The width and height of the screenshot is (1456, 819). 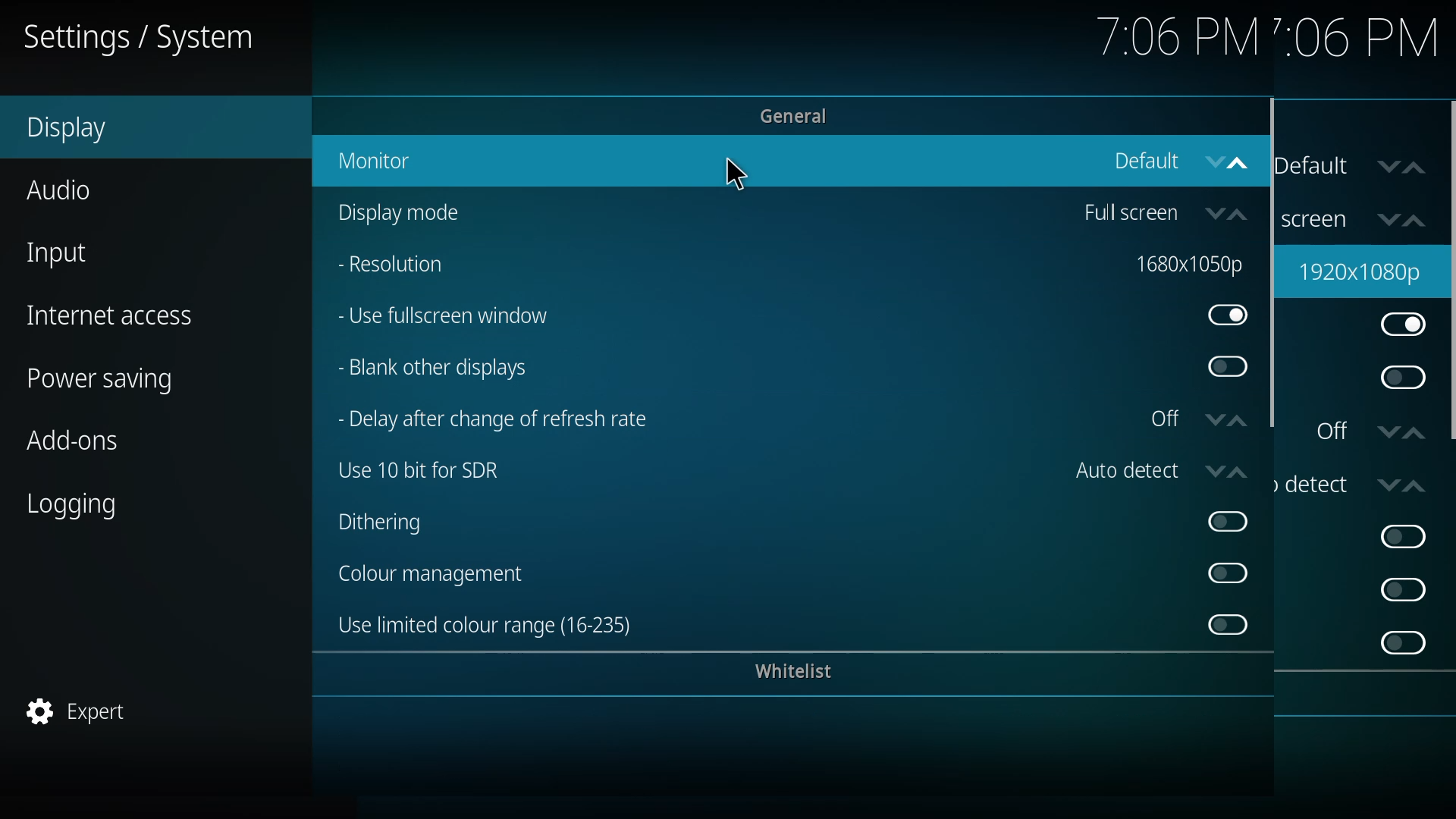 What do you see at coordinates (797, 670) in the screenshot?
I see `whitelist` at bounding box center [797, 670].